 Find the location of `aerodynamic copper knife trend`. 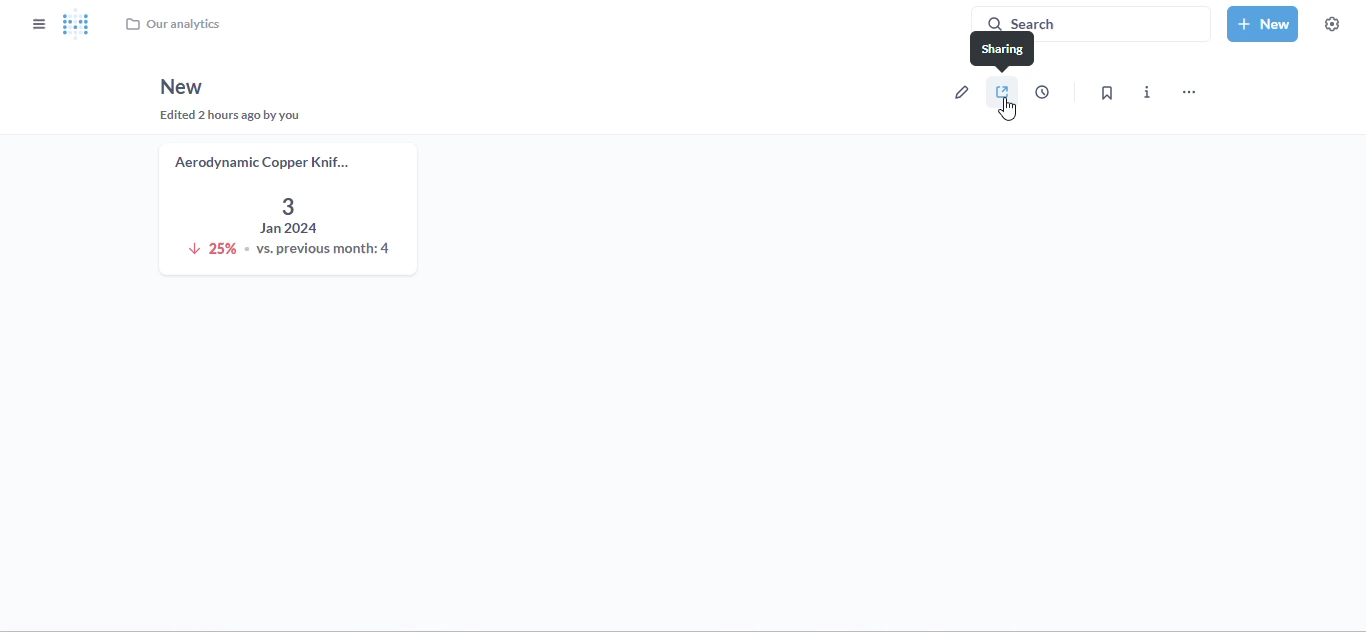

aerodynamic copper knife trend is located at coordinates (288, 209).